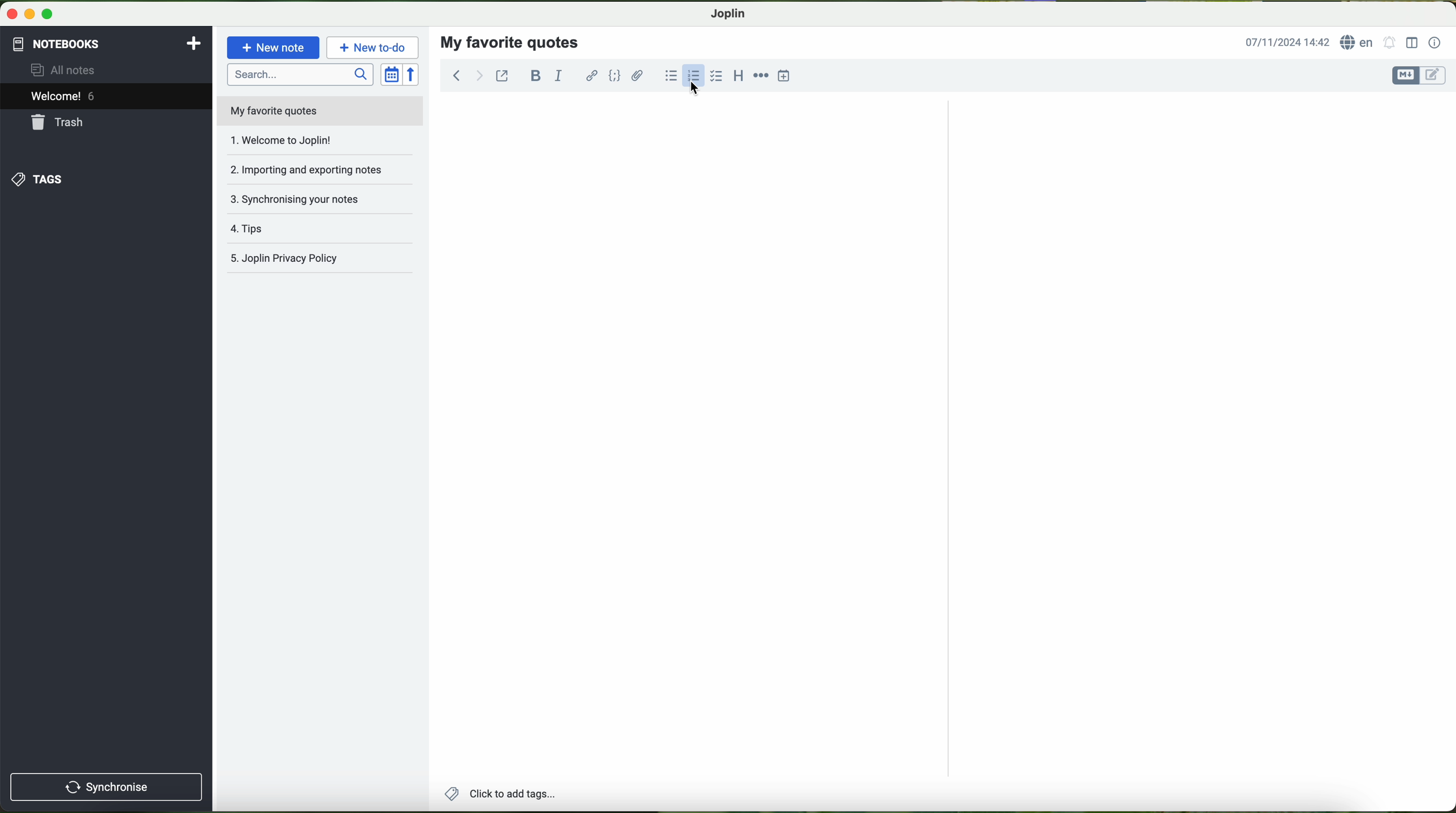 The width and height of the screenshot is (1456, 813). What do you see at coordinates (500, 795) in the screenshot?
I see `add tags` at bounding box center [500, 795].